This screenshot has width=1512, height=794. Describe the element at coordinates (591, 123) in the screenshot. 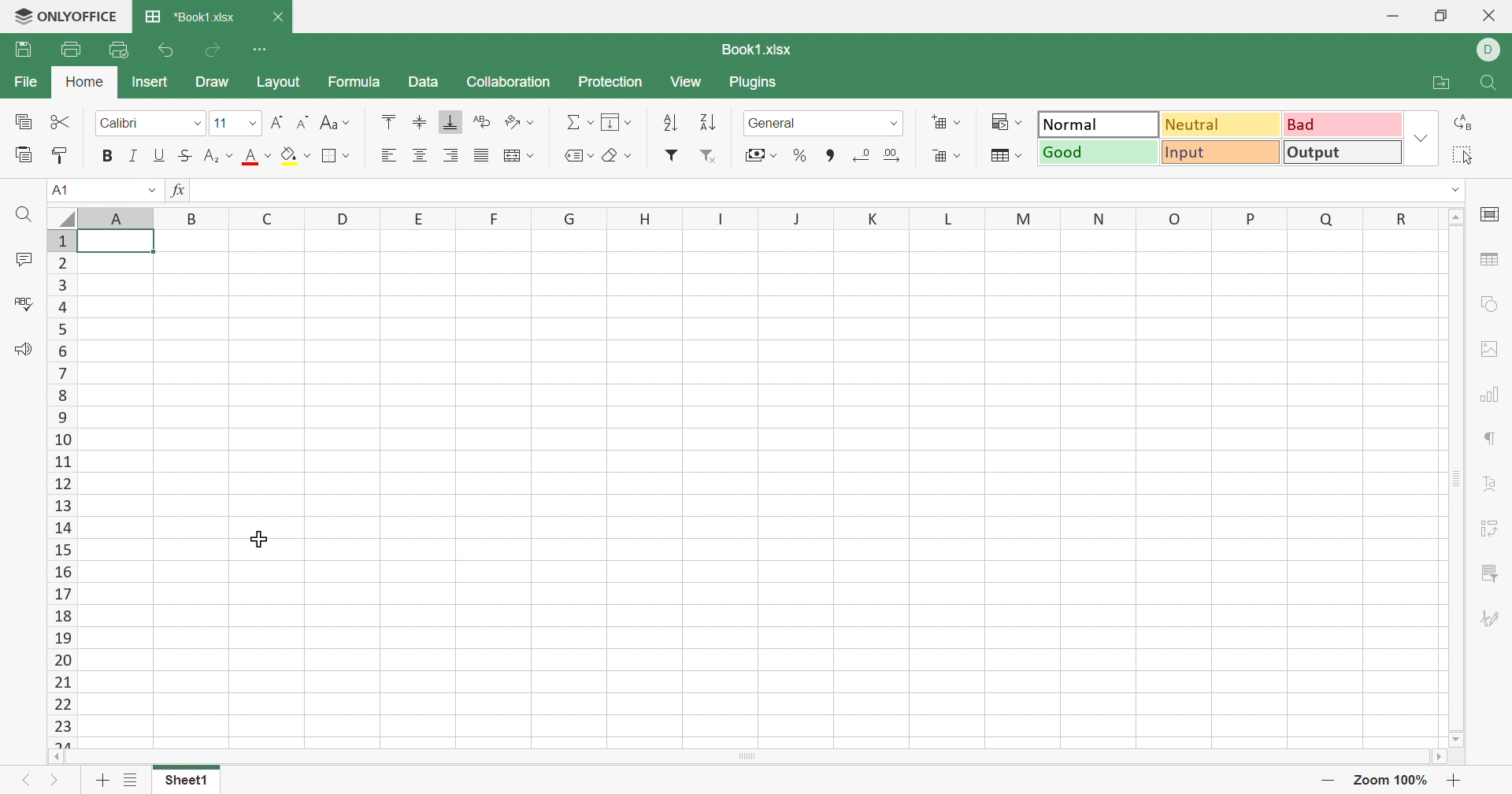

I see `Drop Down` at that location.